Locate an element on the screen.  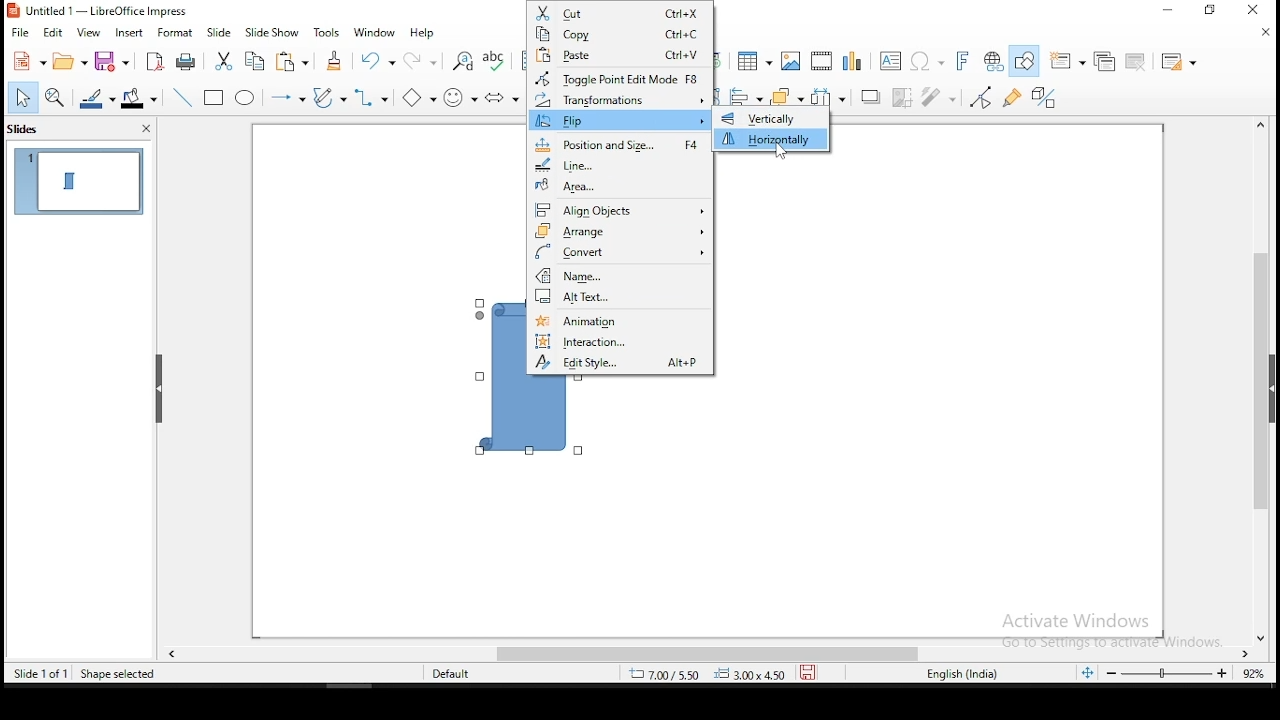
tools is located at coordinates (328, 34).